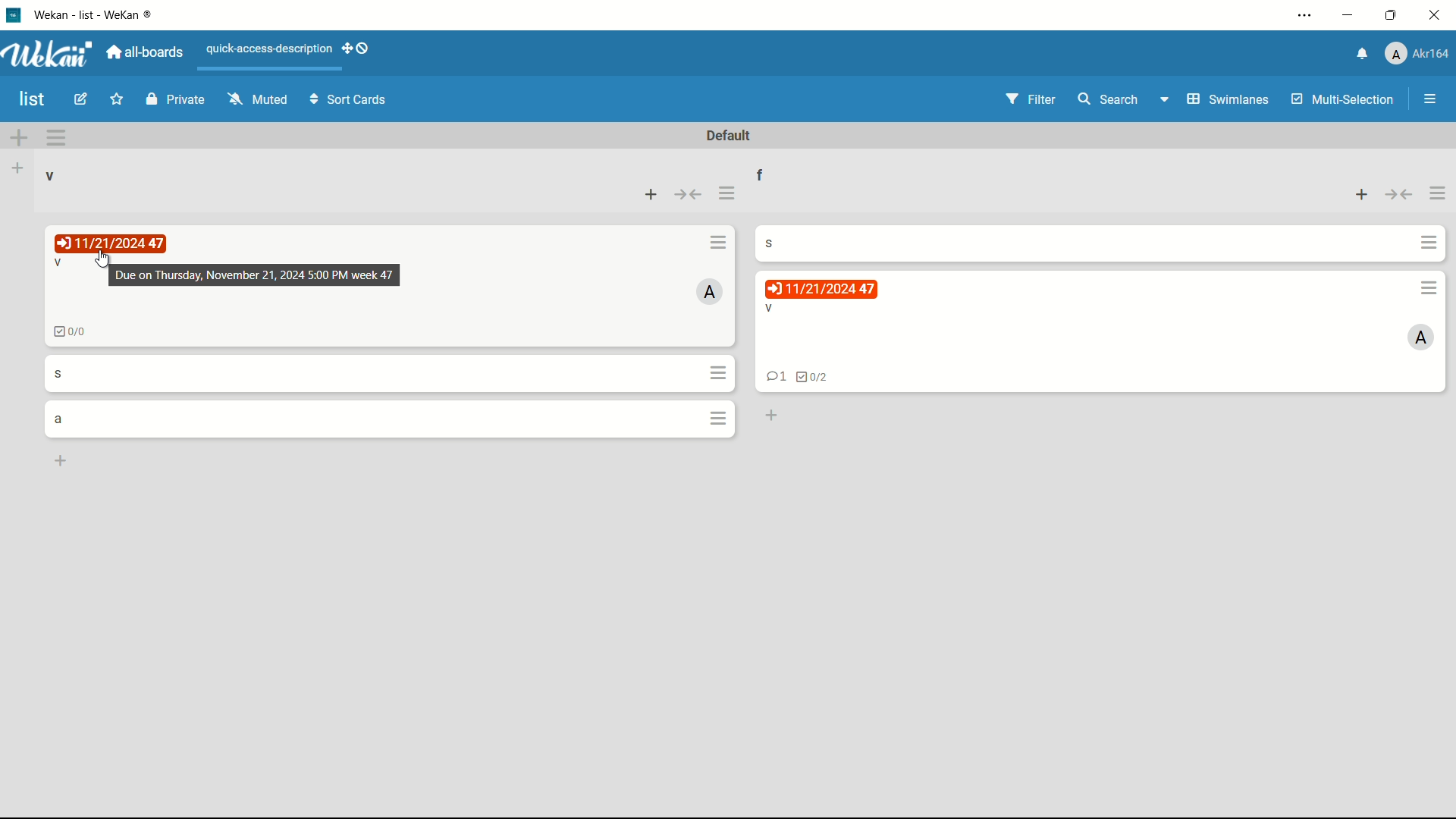  Describe the element at coordinates (821, 289) in the screenshot. I see `due date` at that location.